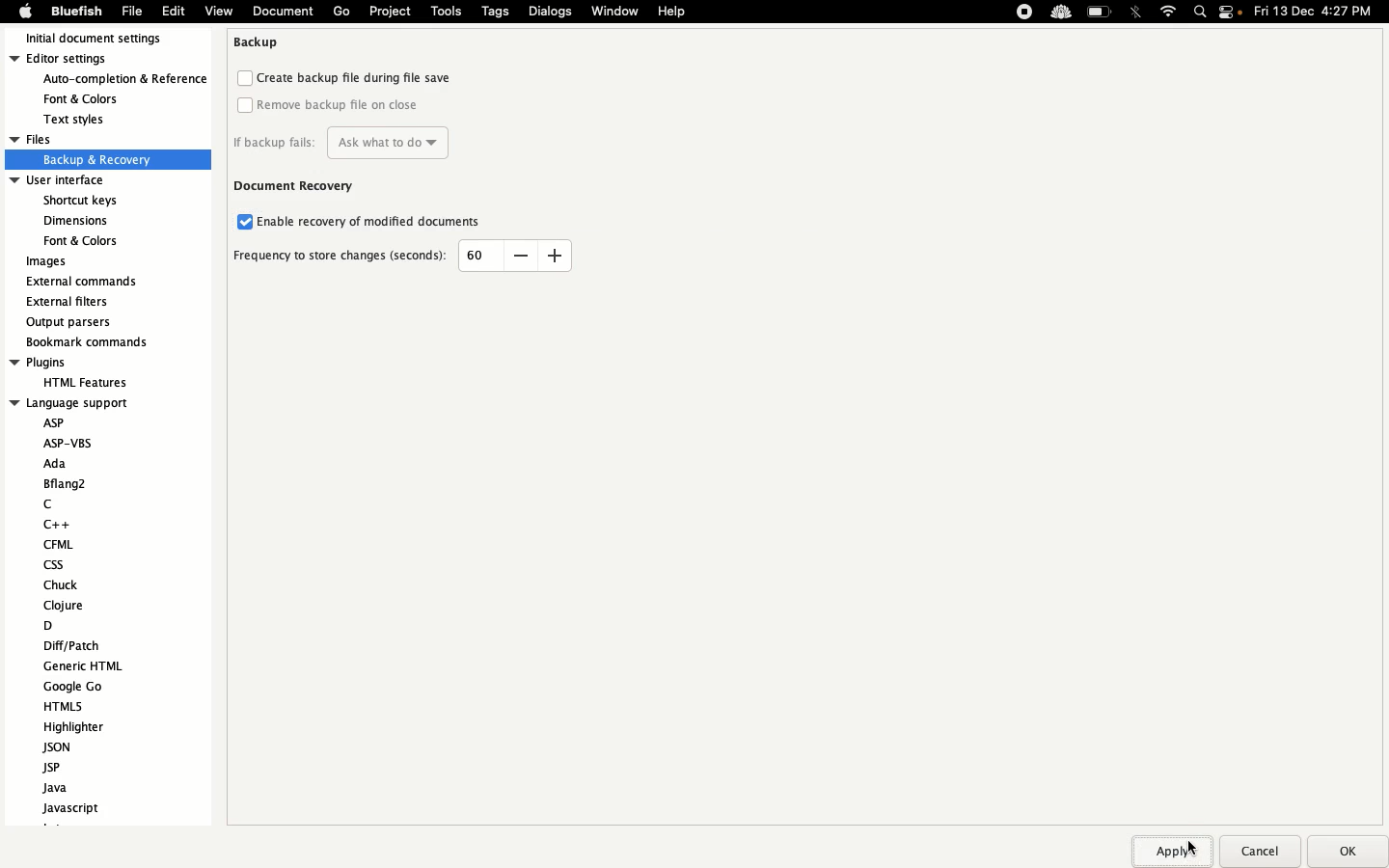  What do you see at coordinates (497, 12) in the screenshot?
I see `Tags` at bounding box center [497, 12].